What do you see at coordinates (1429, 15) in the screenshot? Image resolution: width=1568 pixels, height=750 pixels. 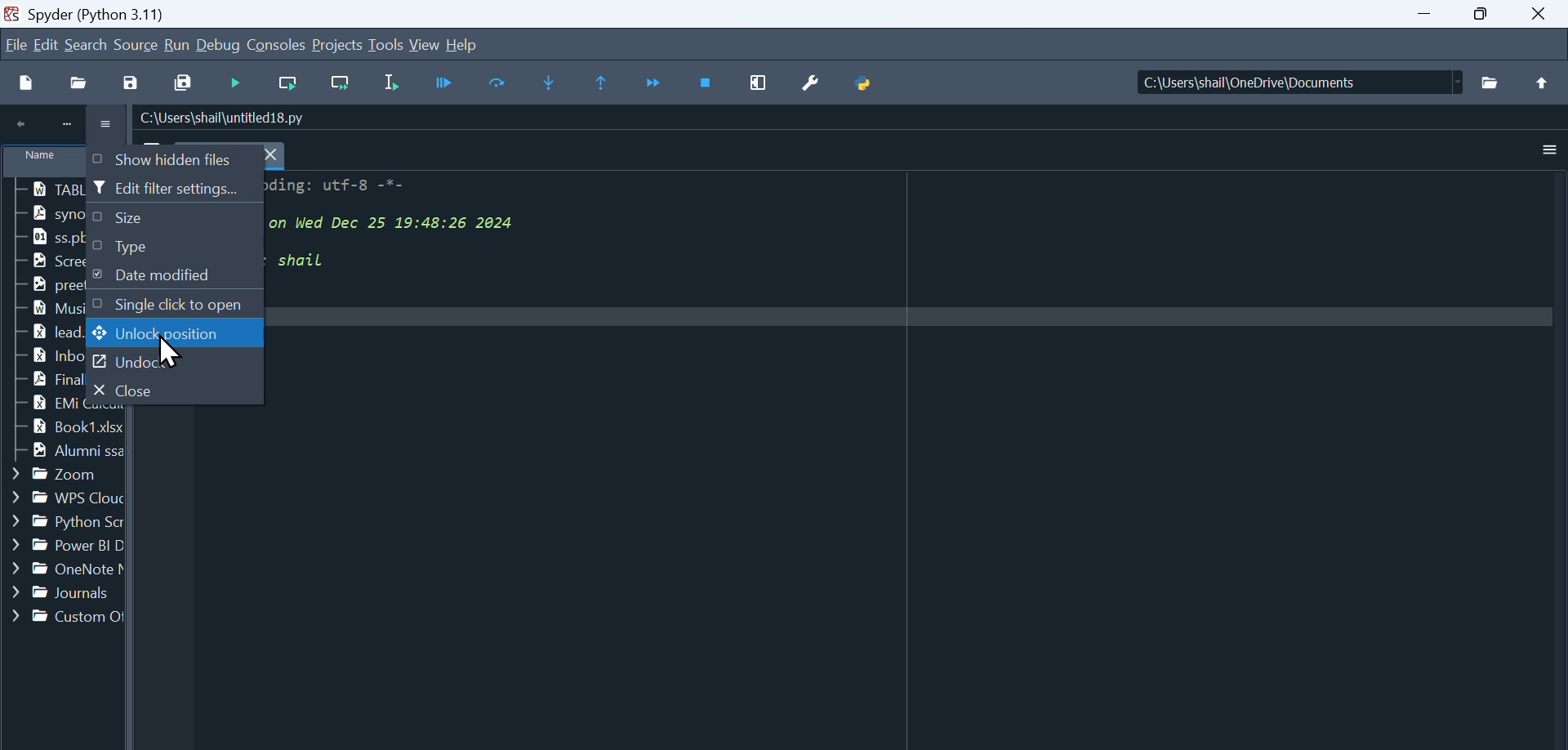 I see `minimise` at bounding box center [1429, 15].